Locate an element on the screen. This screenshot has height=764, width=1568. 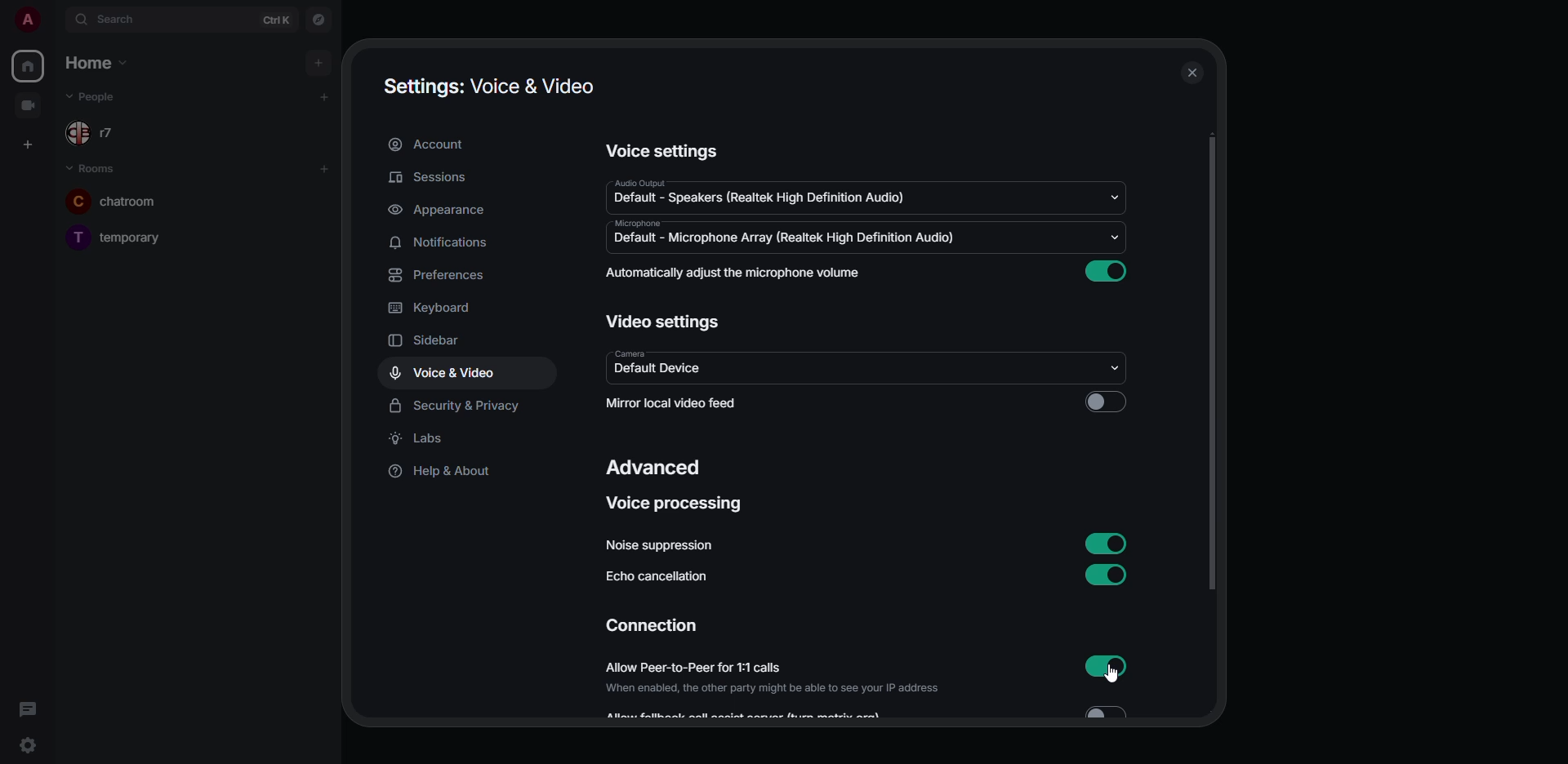
video settings is located at coordinates (663, 320).